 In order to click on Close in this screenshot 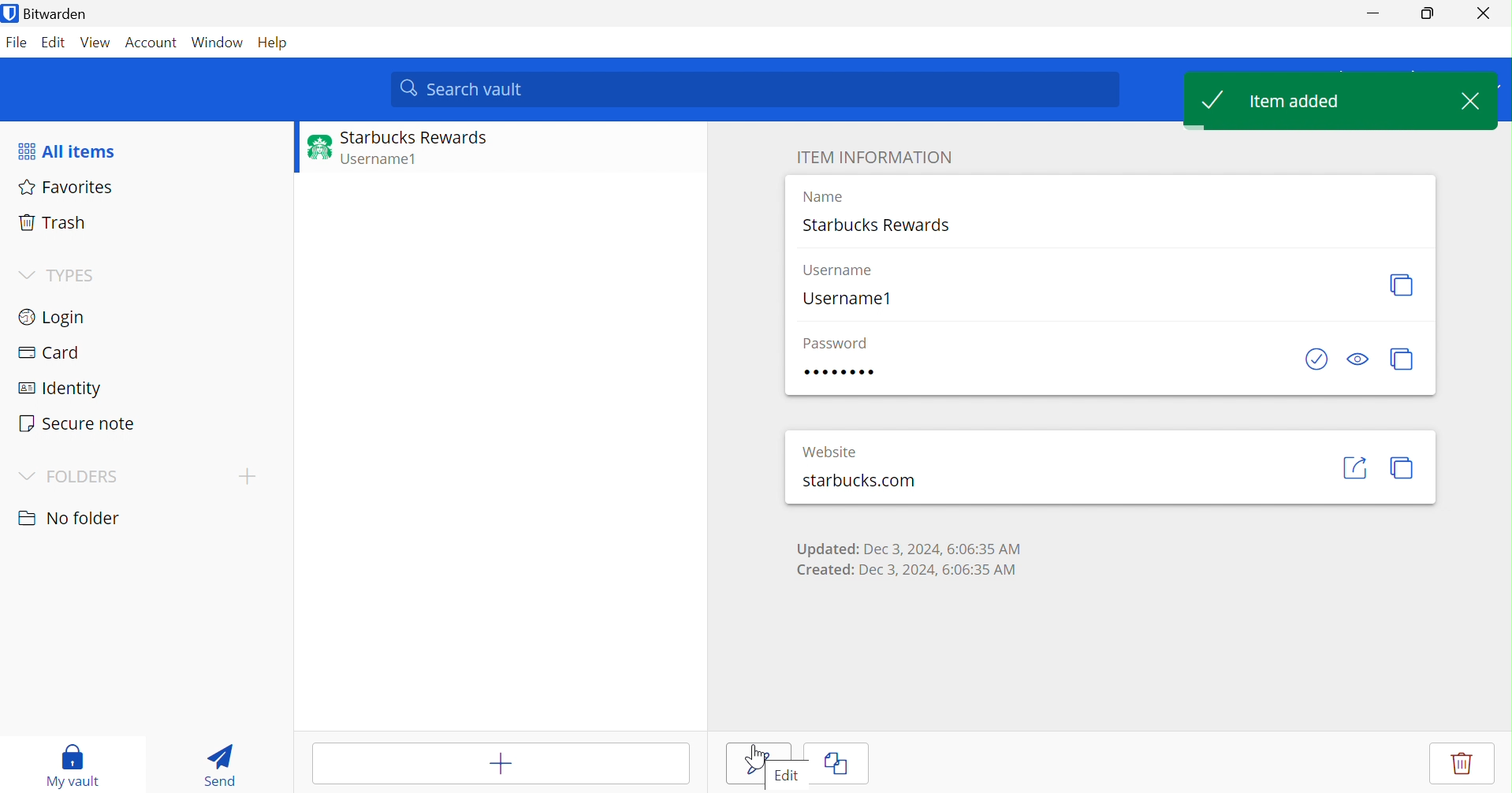, I will do `click(1486, 13)`.